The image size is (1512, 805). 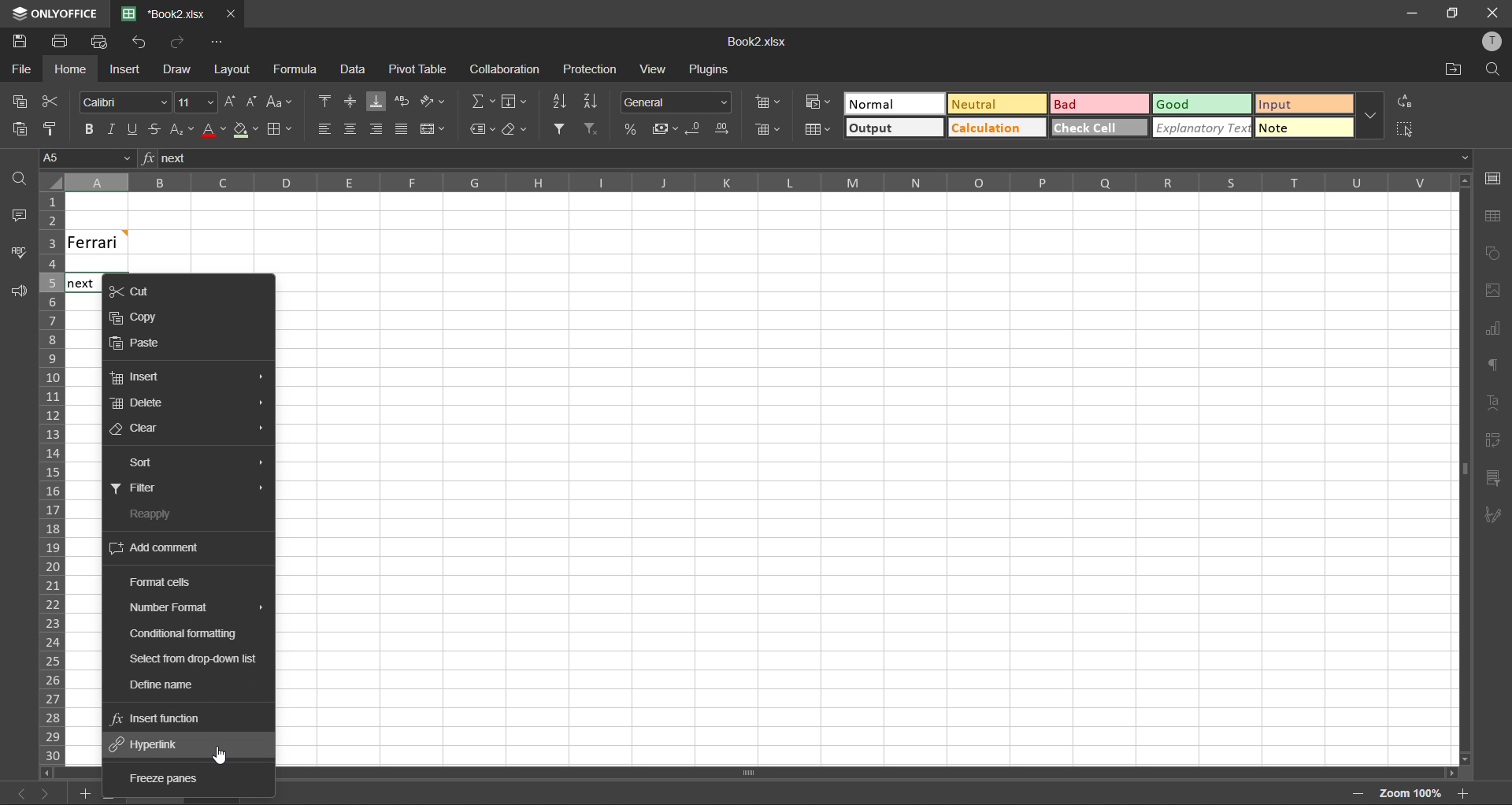 I want to click on select all, so click(x=1406, y=129).